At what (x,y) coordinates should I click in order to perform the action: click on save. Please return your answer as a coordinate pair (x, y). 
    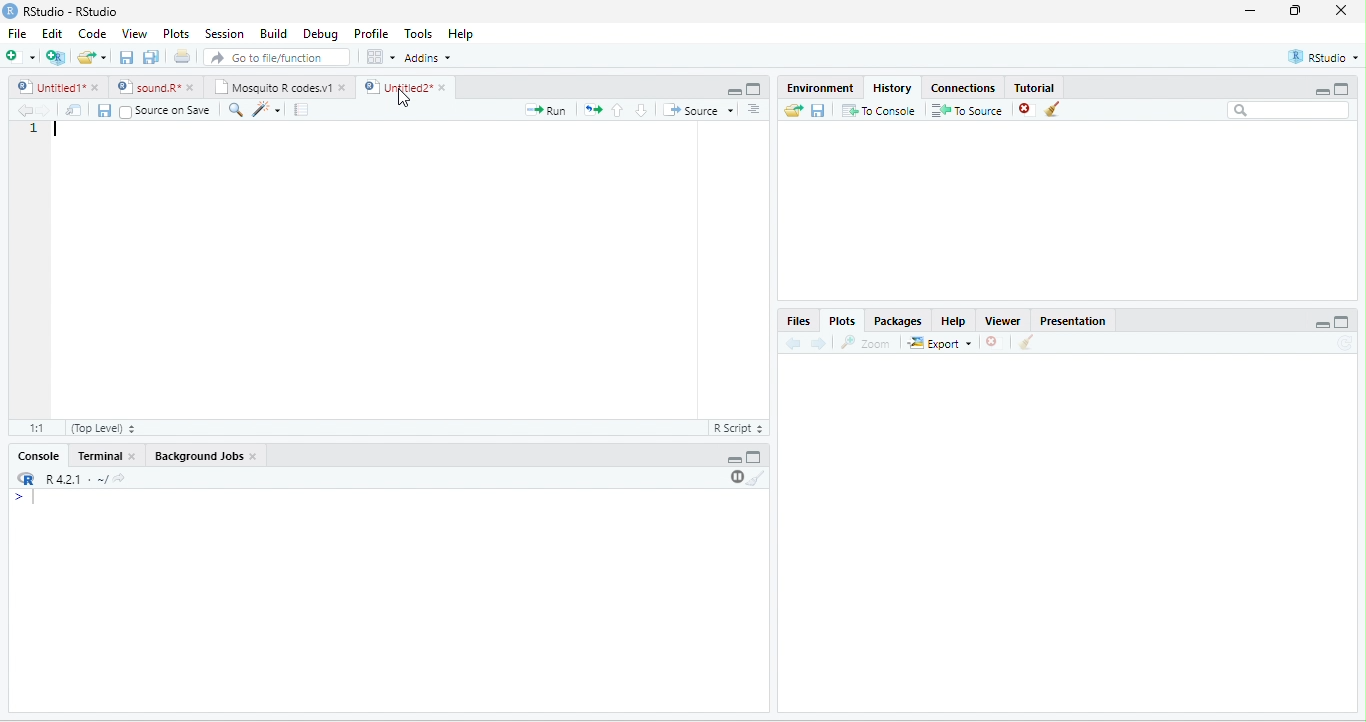
    Looking at the image, I should click on (104, 111).